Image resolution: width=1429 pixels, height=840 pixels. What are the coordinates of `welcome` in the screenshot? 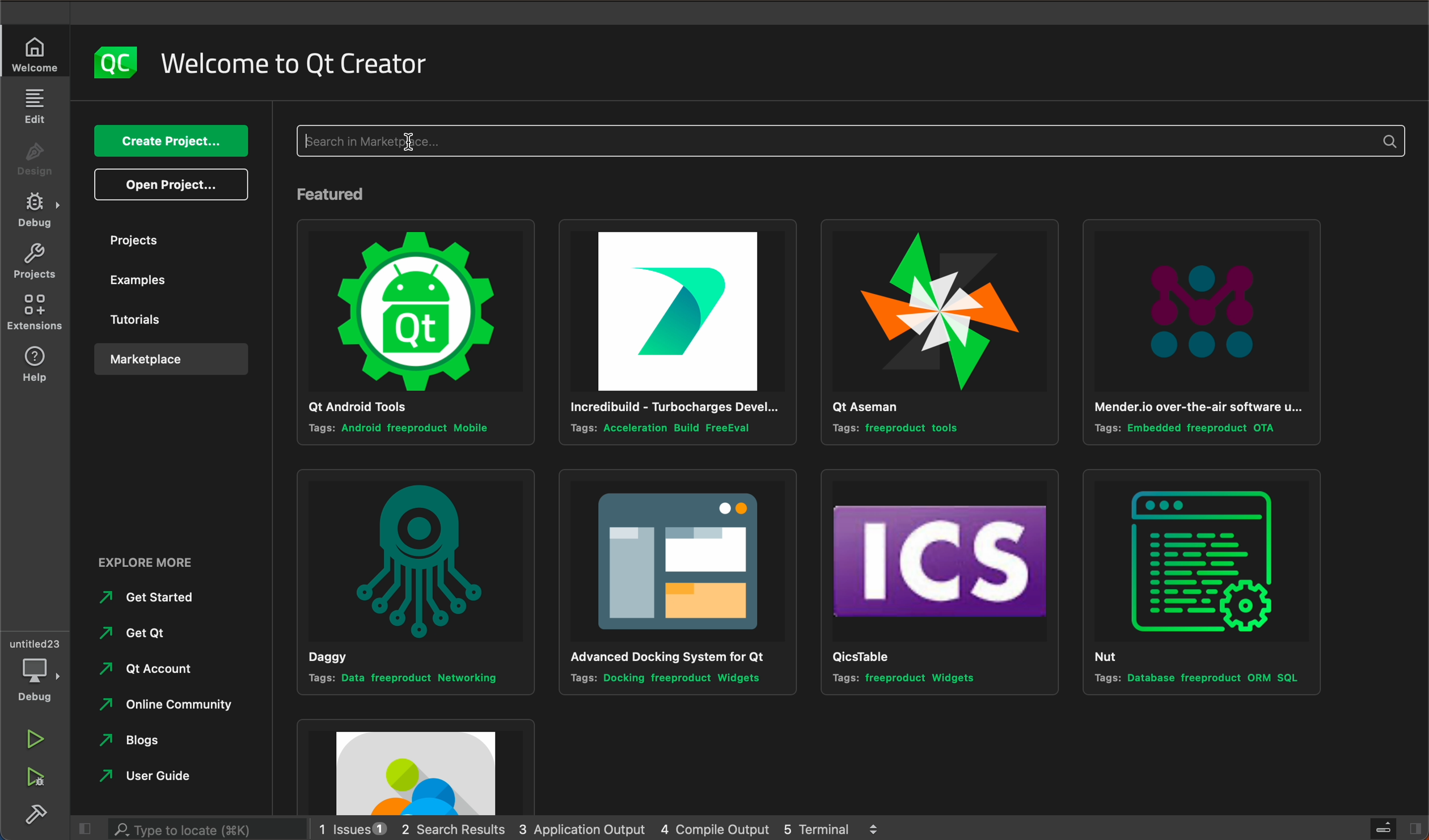 It's located at (38, 53).